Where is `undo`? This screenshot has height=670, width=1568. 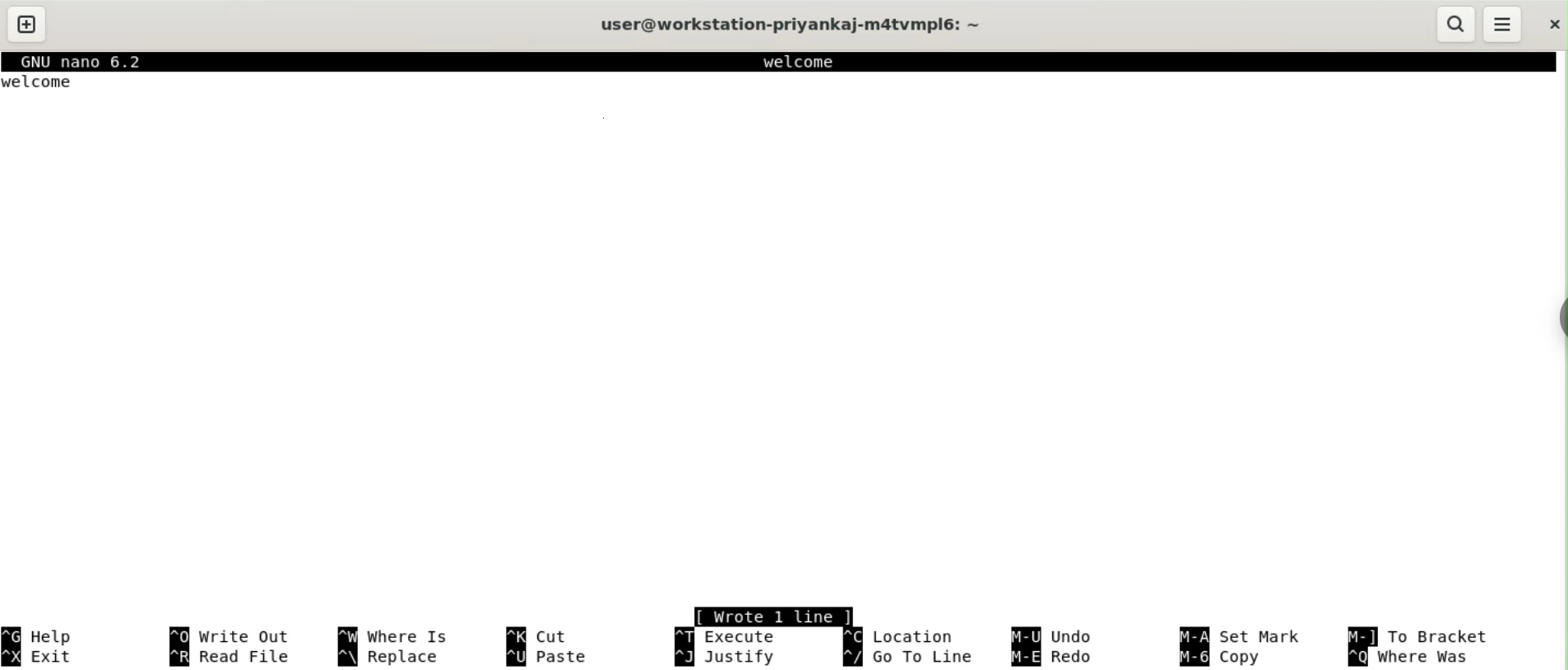 undo is located at coordinates (1054, 636).